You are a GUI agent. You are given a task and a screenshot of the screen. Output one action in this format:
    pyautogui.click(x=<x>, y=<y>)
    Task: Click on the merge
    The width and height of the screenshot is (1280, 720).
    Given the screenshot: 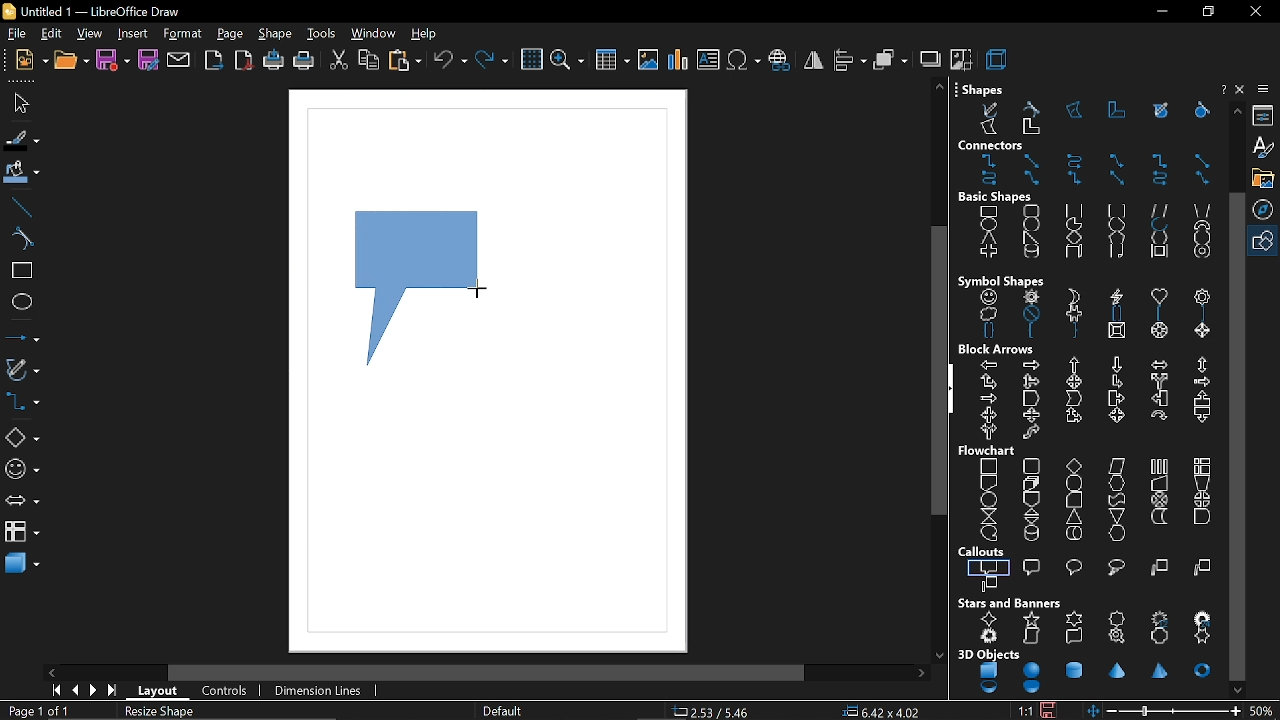 What is the action you would take?
    pyautogui.click(x=1117, y=515)
    